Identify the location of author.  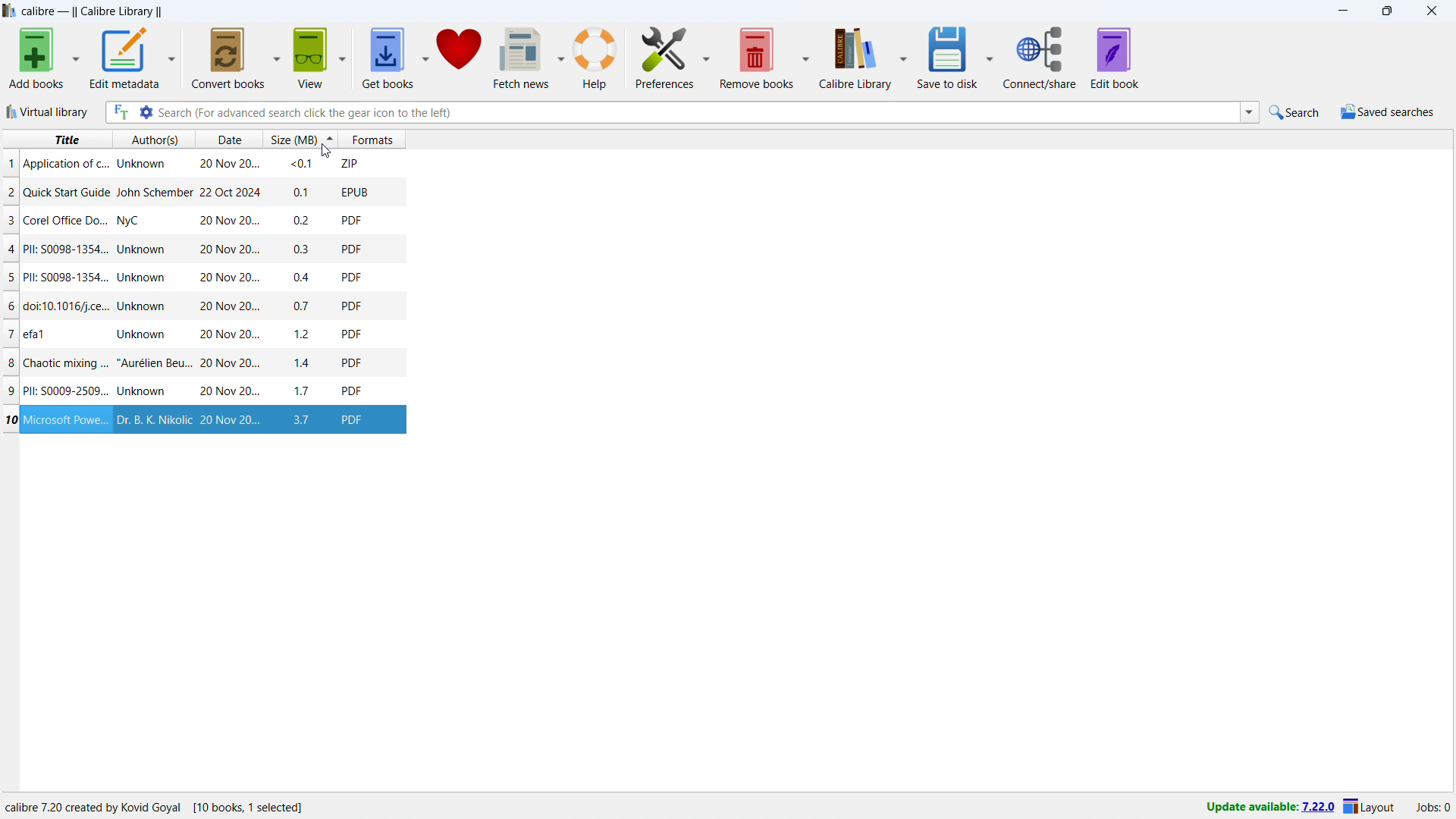
(145, 248).